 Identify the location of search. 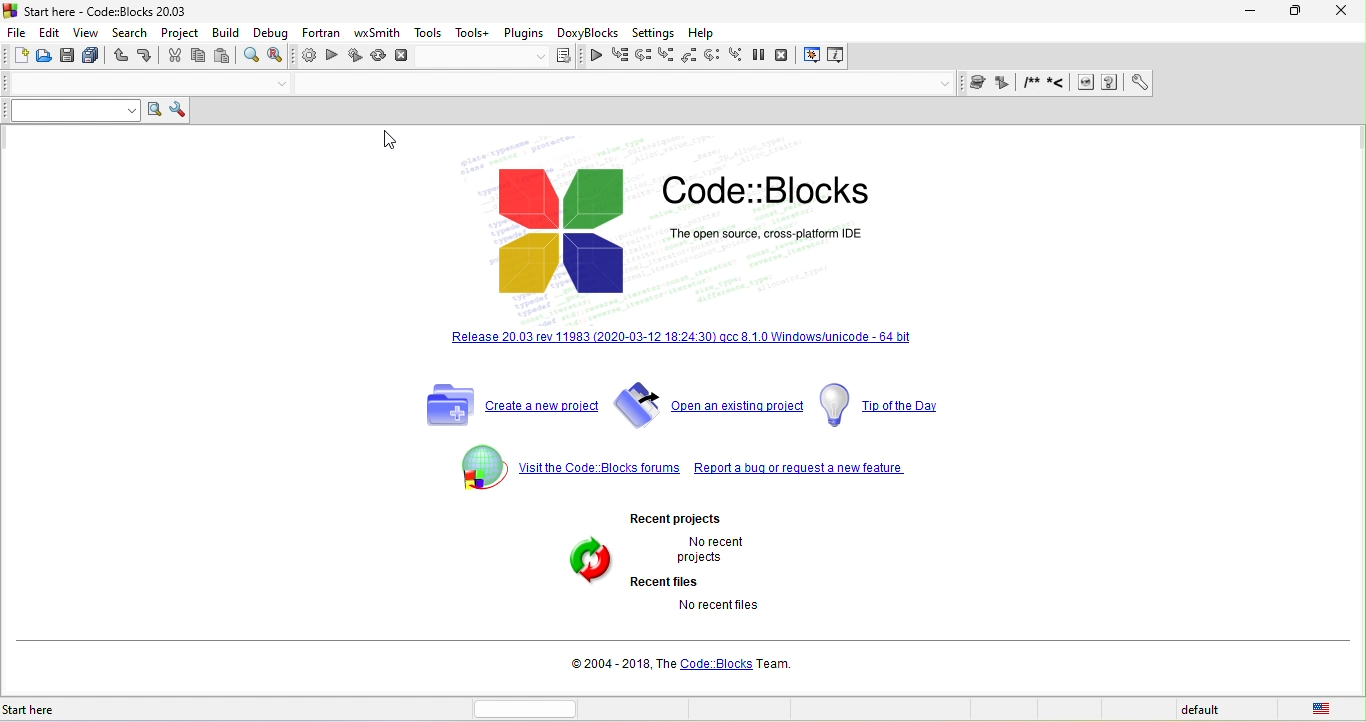
(128, 33).